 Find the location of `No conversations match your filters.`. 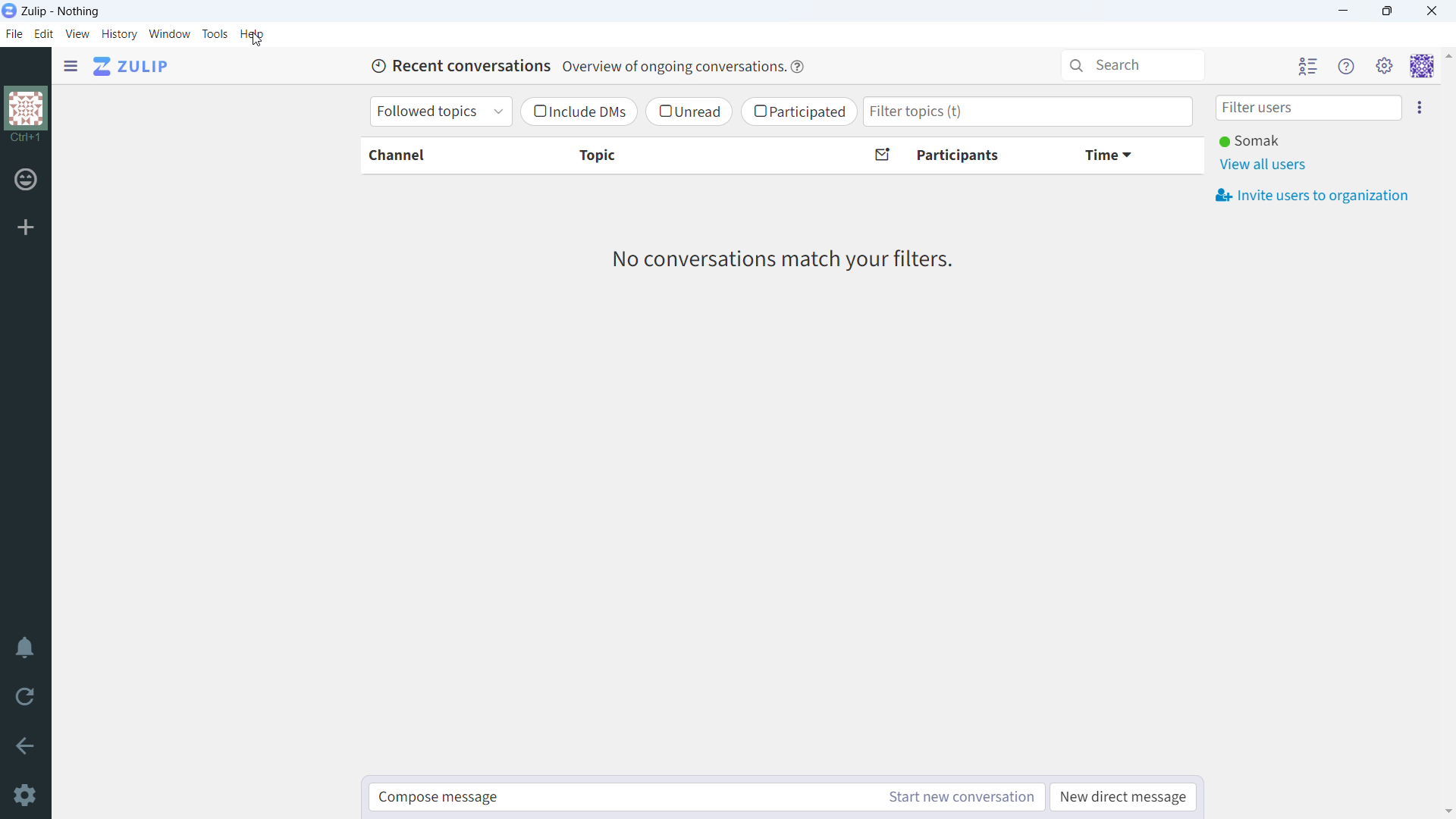

No conversations match your filters. is located at coordinates (789, 262).